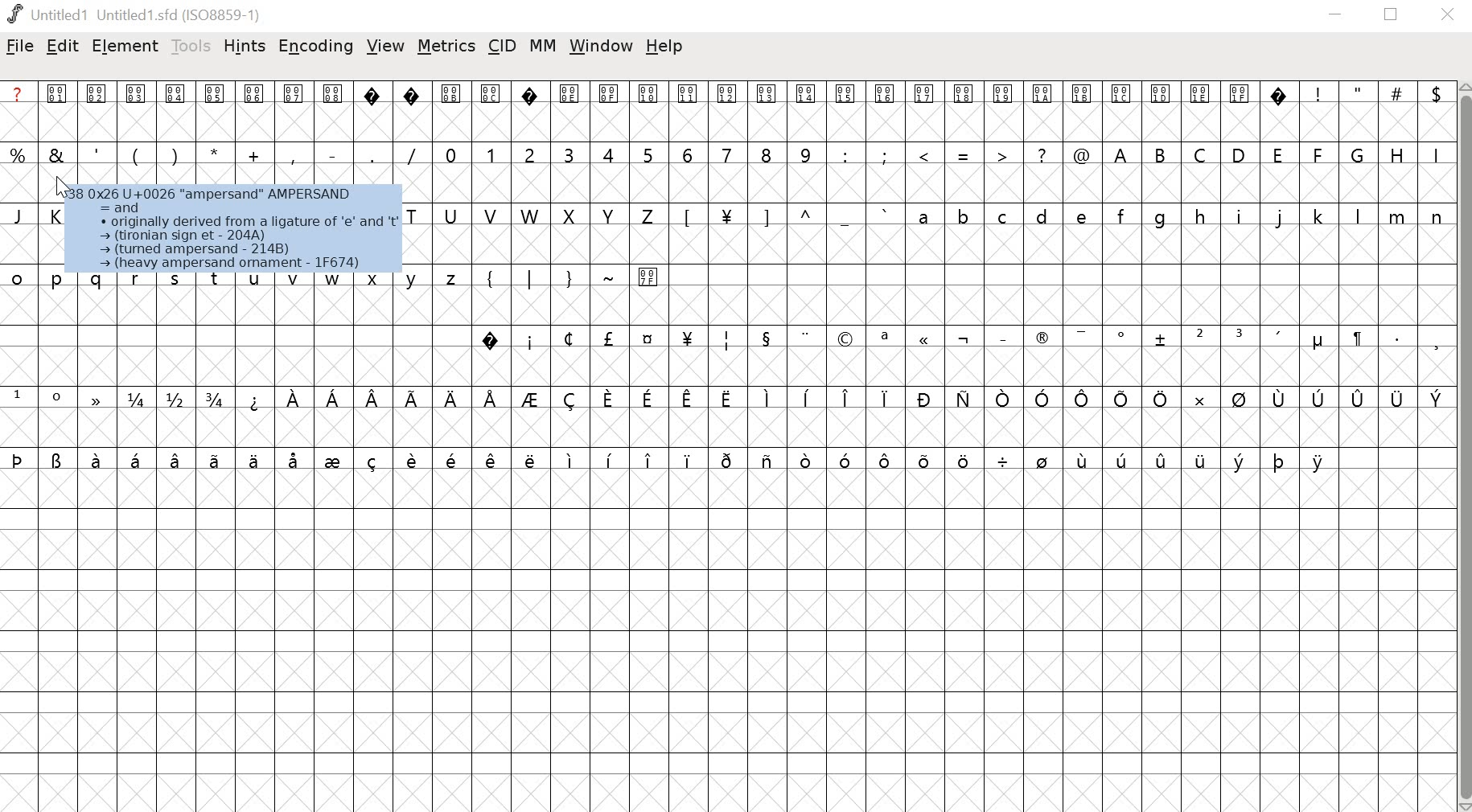 This screenshot has width=1472, height=812. Describe the element at coordinates (768, 459) in the screenshot. I see `symbol` at that location.